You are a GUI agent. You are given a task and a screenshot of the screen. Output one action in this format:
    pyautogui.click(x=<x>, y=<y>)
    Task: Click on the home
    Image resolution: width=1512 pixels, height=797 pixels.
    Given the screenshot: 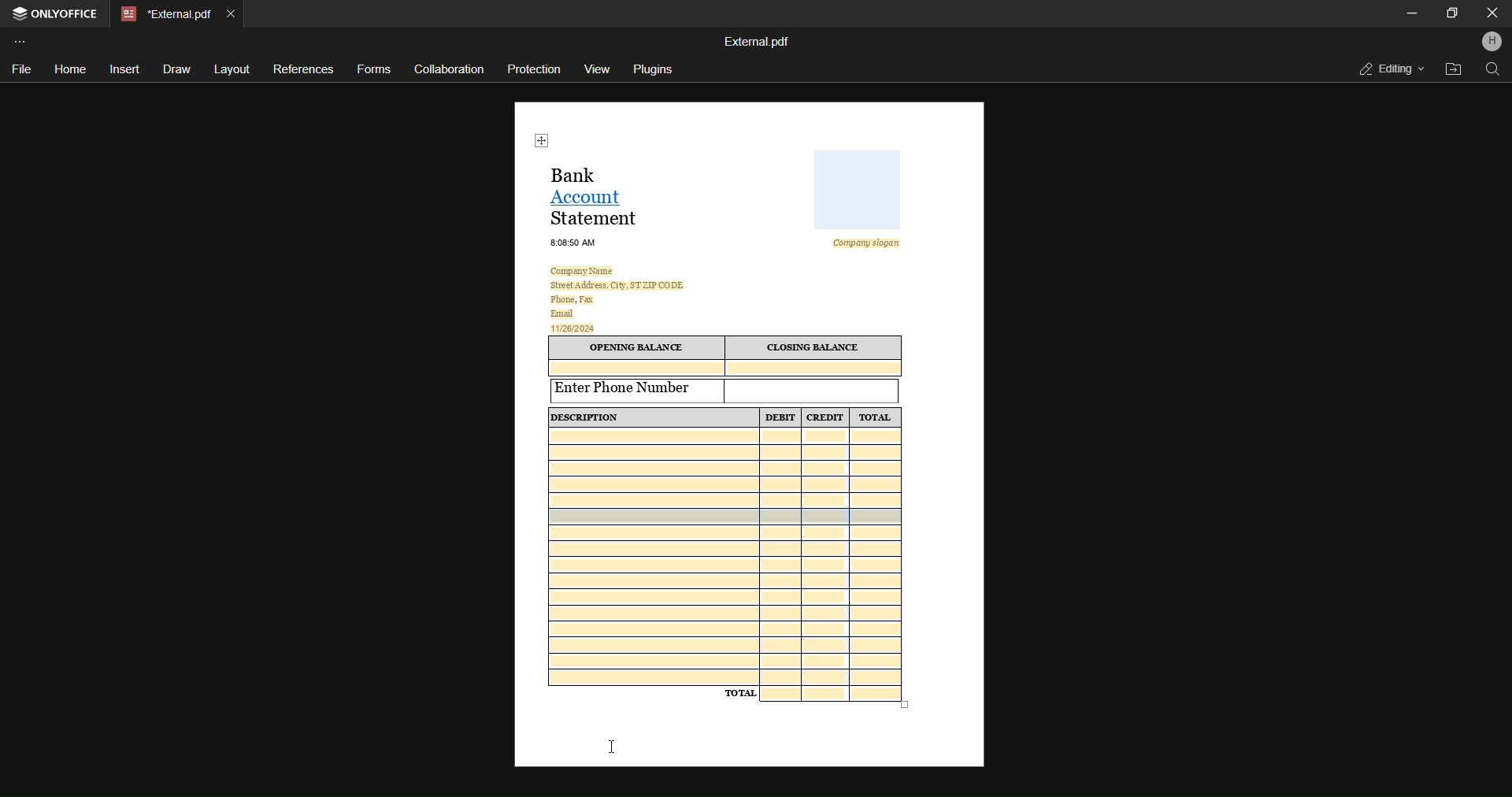 What is the action you would take?
    pyautogui.click(x=70, y=70)
    